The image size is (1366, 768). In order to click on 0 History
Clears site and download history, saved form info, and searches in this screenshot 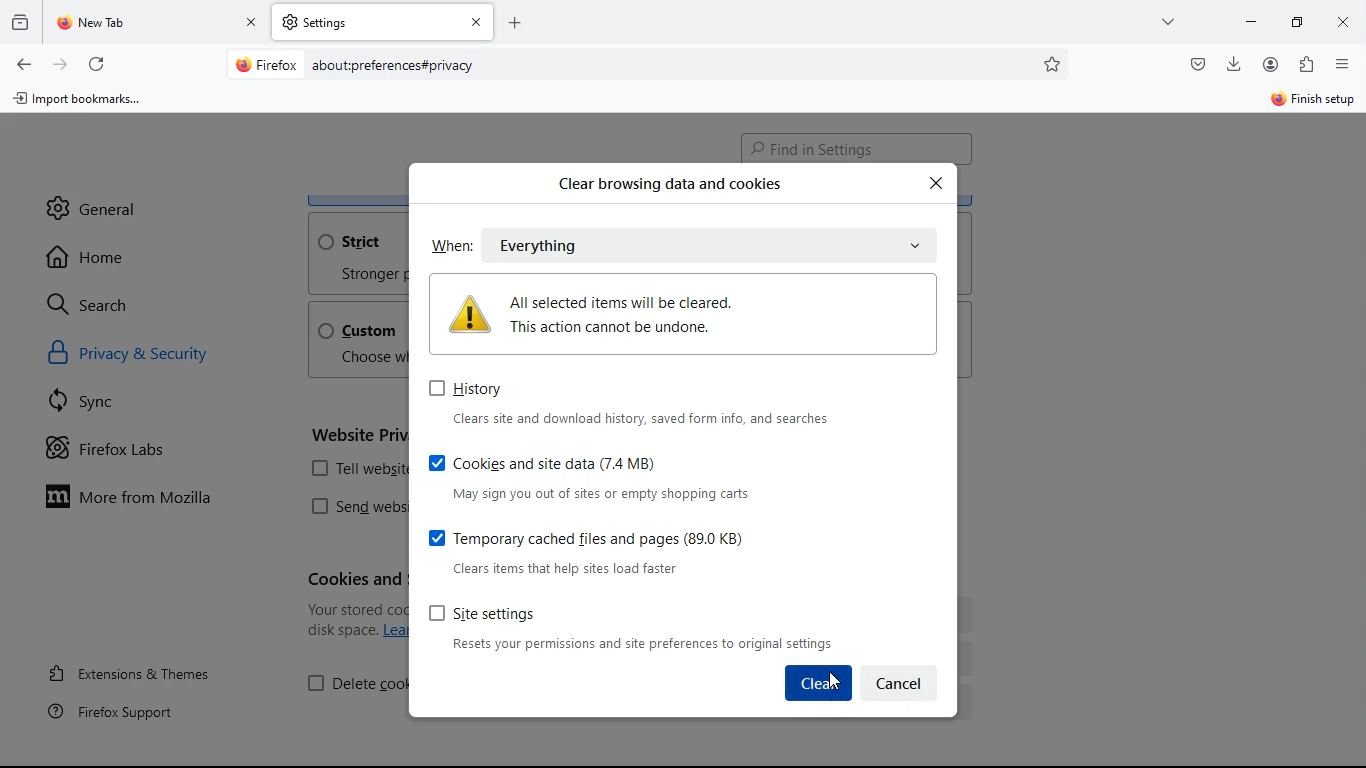, I will do `click(627, 402)`.